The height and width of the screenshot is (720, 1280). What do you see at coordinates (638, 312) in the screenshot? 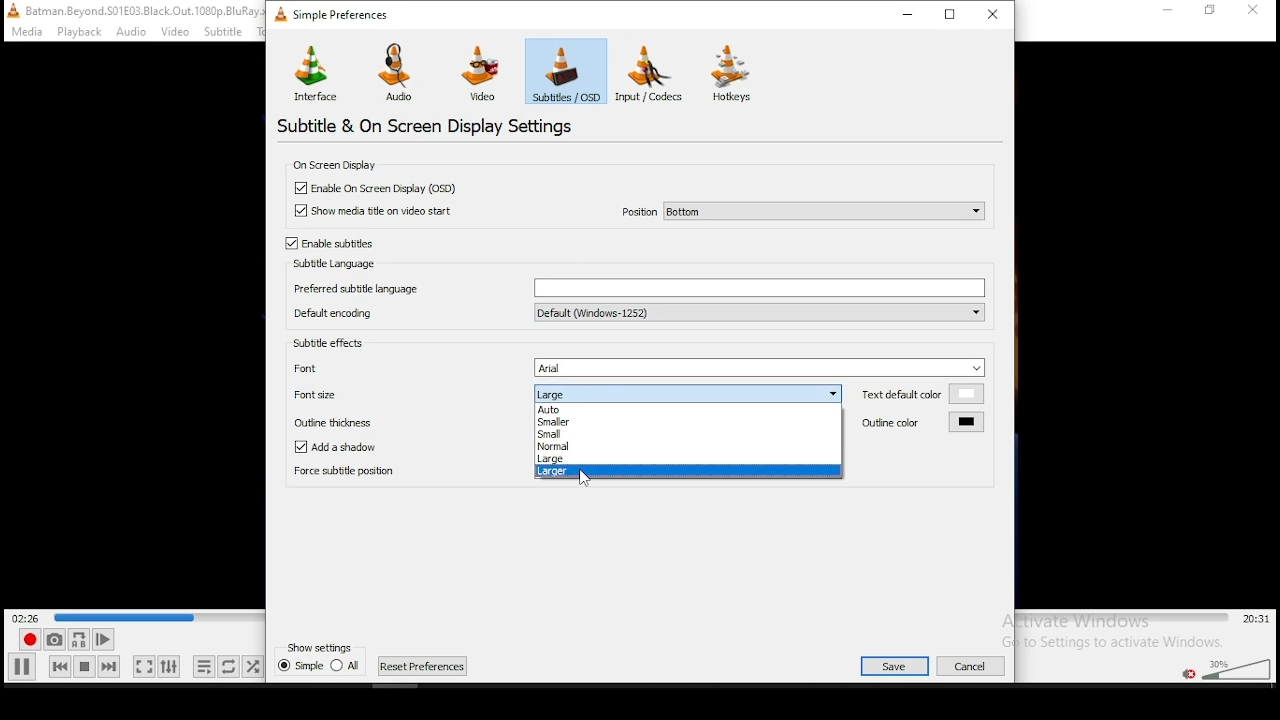
I see `default encoding Default (Windows-1252)` at bounding box center [638, 312].